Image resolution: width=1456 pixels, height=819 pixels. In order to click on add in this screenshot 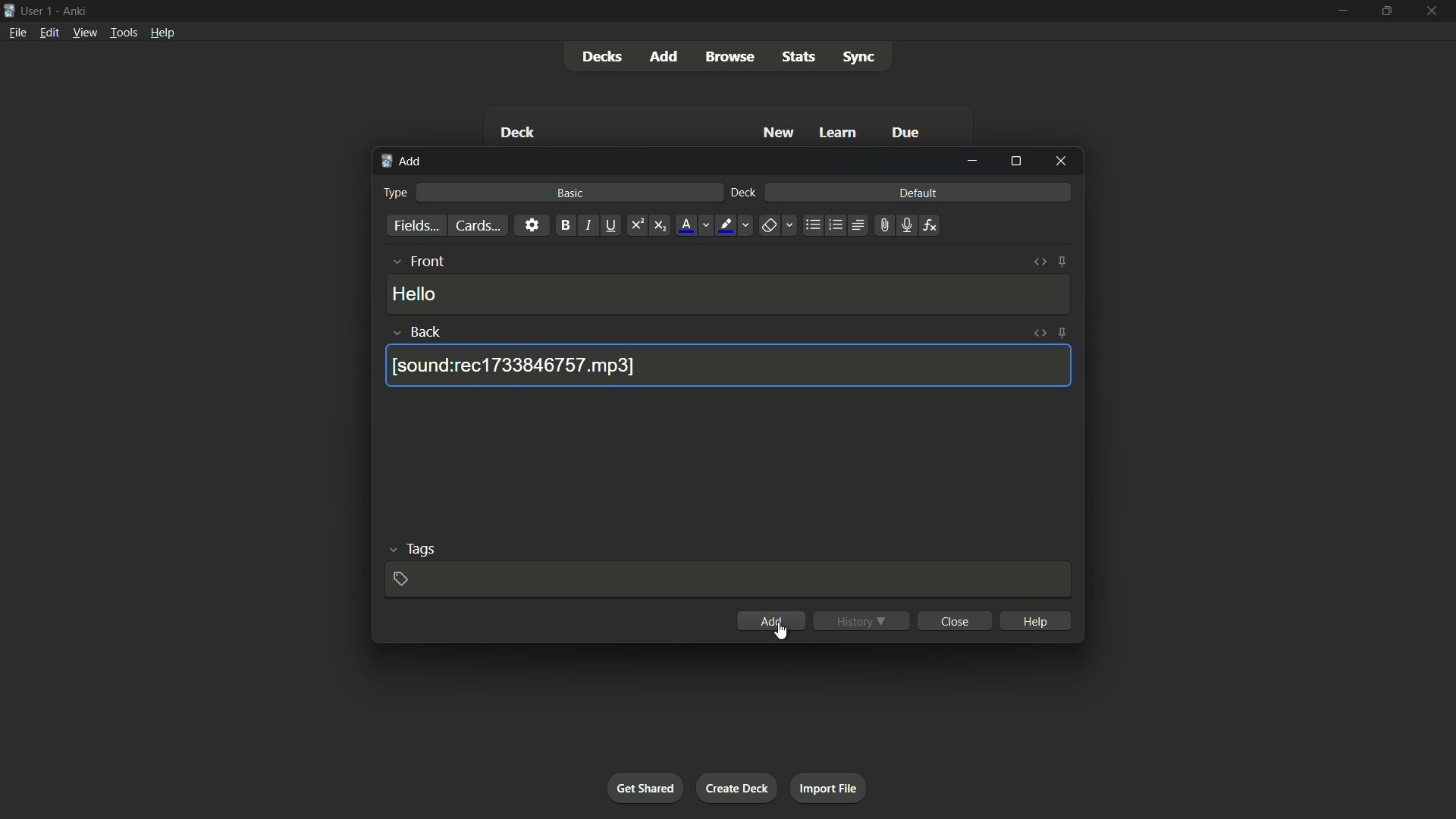, I will do `click(403, 162)`.